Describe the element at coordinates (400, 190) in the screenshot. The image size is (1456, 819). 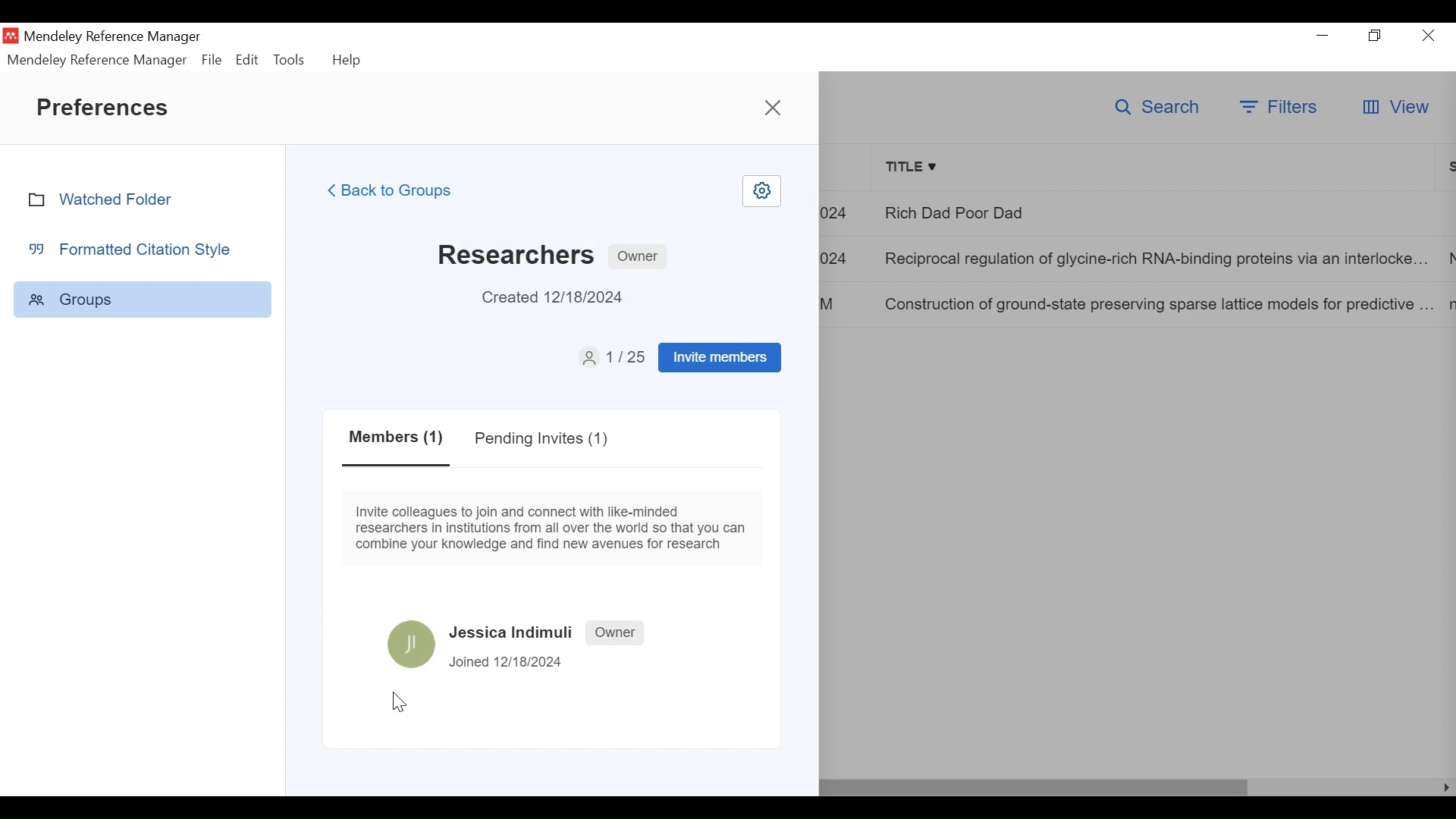
I see `Back to Groups` at that location.